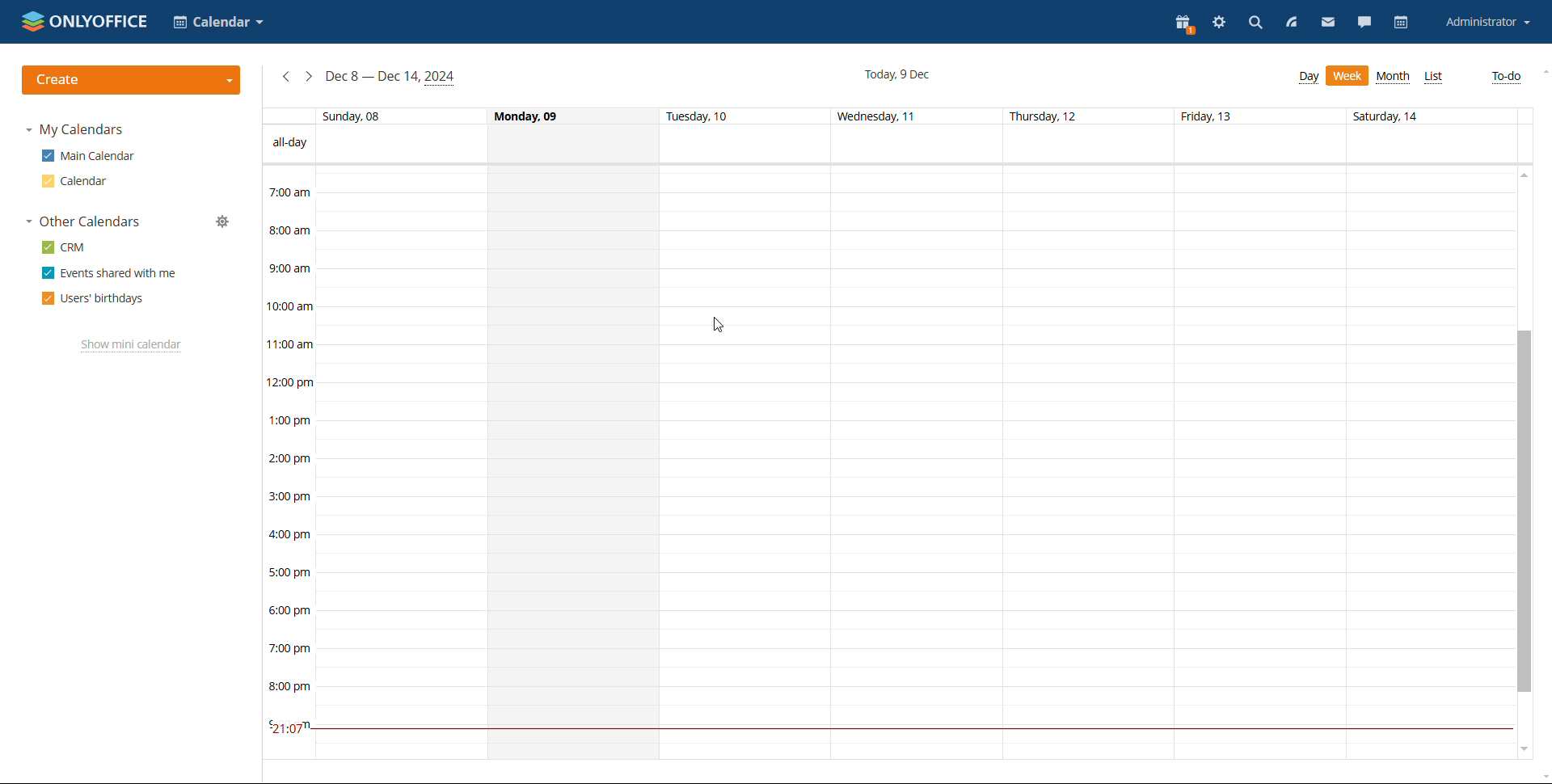  I want to click on onlyoffice, so click(86, 21).